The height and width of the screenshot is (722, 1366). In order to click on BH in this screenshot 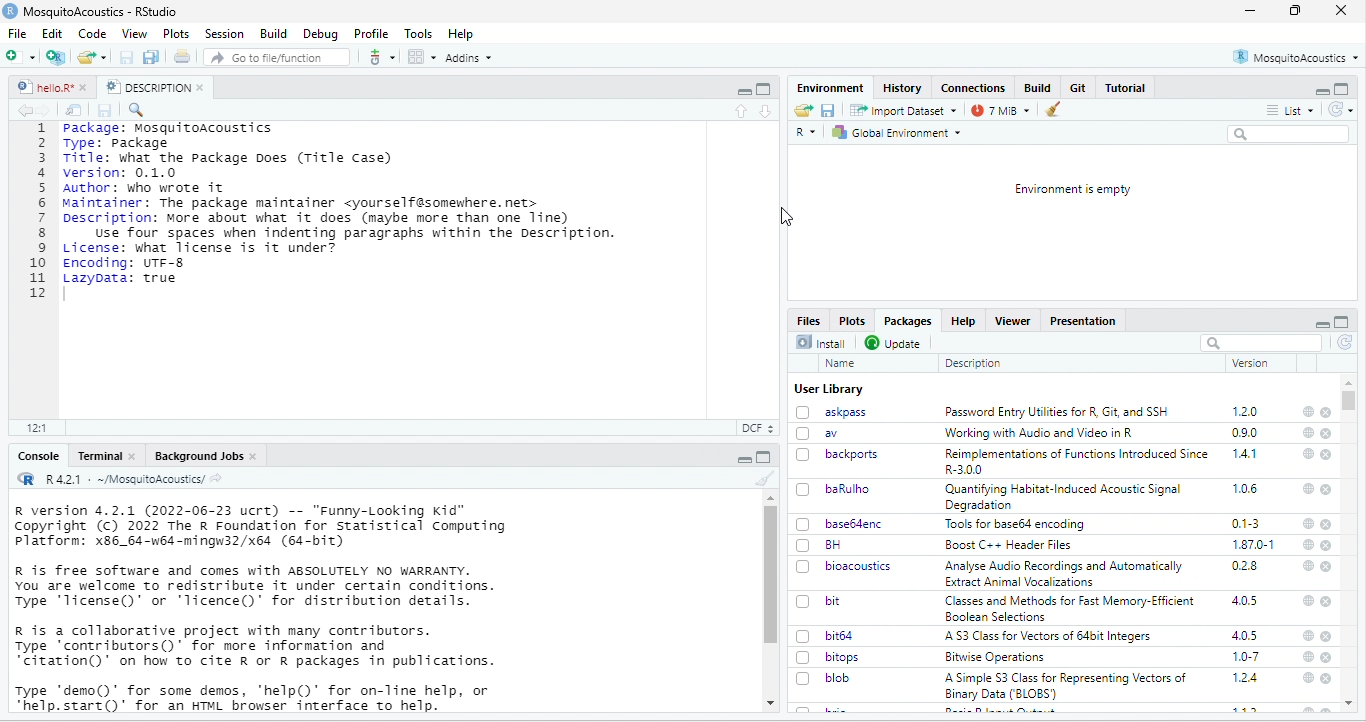, I will do `click(820, 545)`.